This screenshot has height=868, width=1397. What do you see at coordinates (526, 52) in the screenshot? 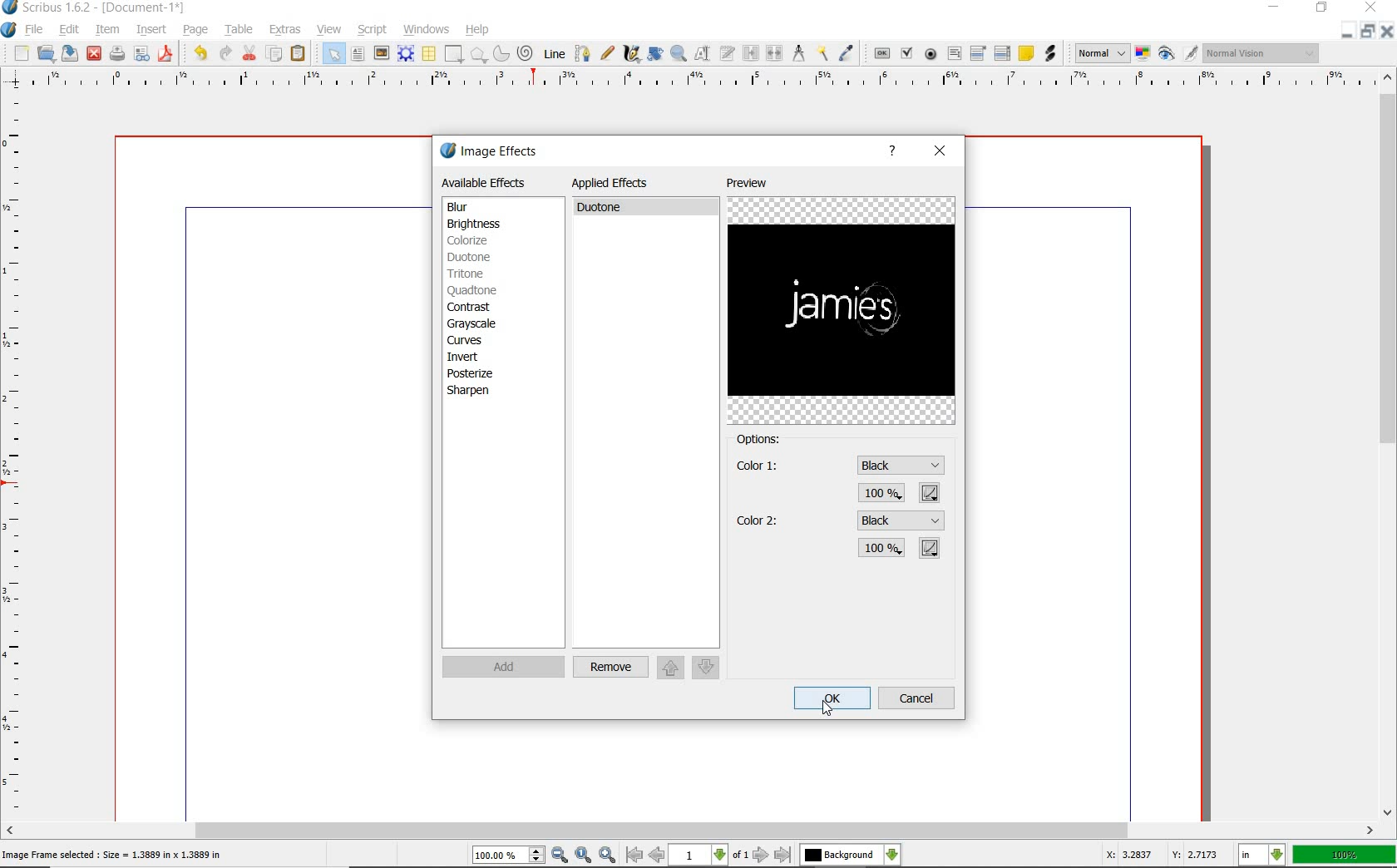
I see `SPIRAL` at bounding box center [526, 52].